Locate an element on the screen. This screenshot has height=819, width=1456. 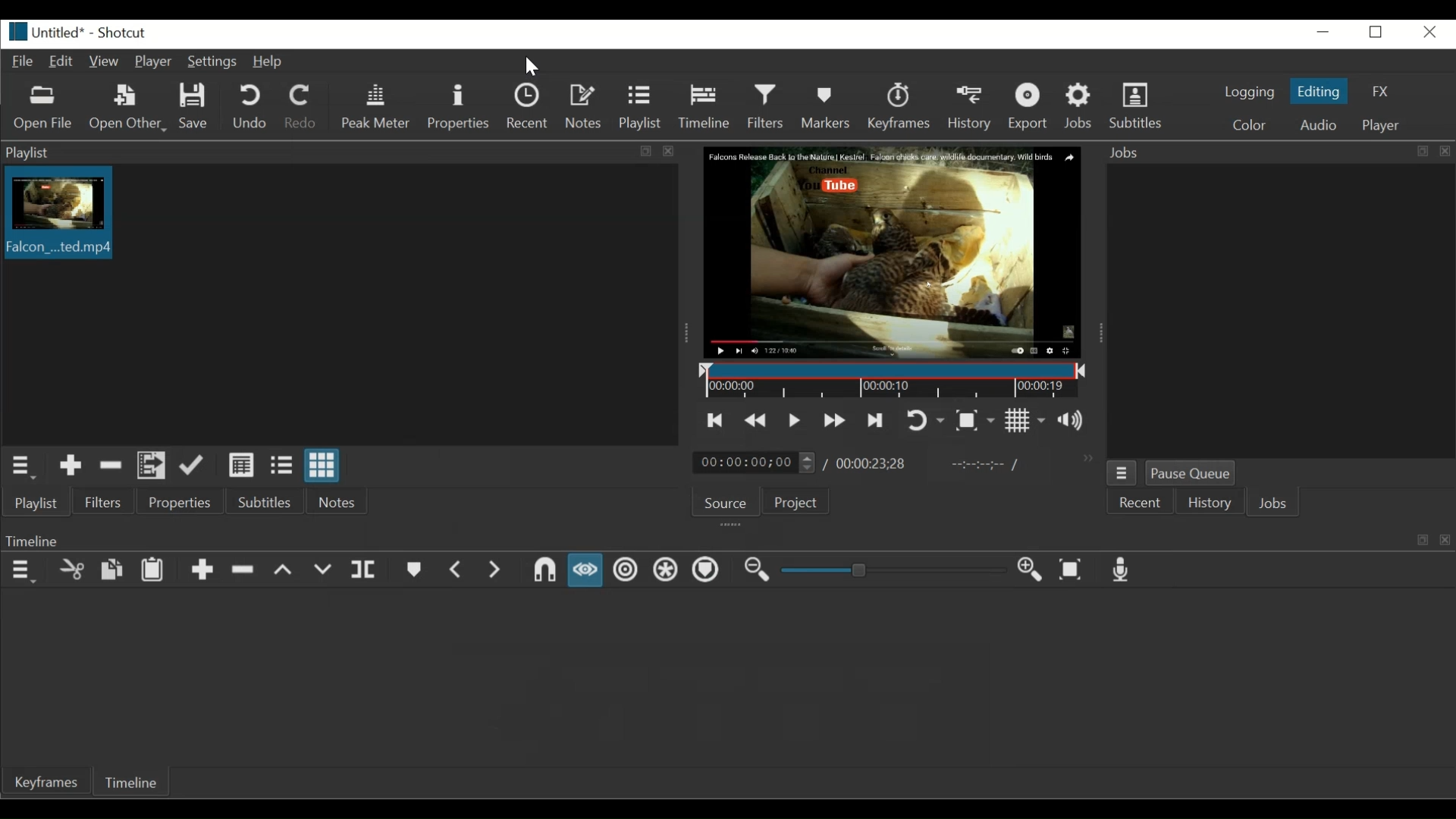
Source is located at coordinates (726, 501).